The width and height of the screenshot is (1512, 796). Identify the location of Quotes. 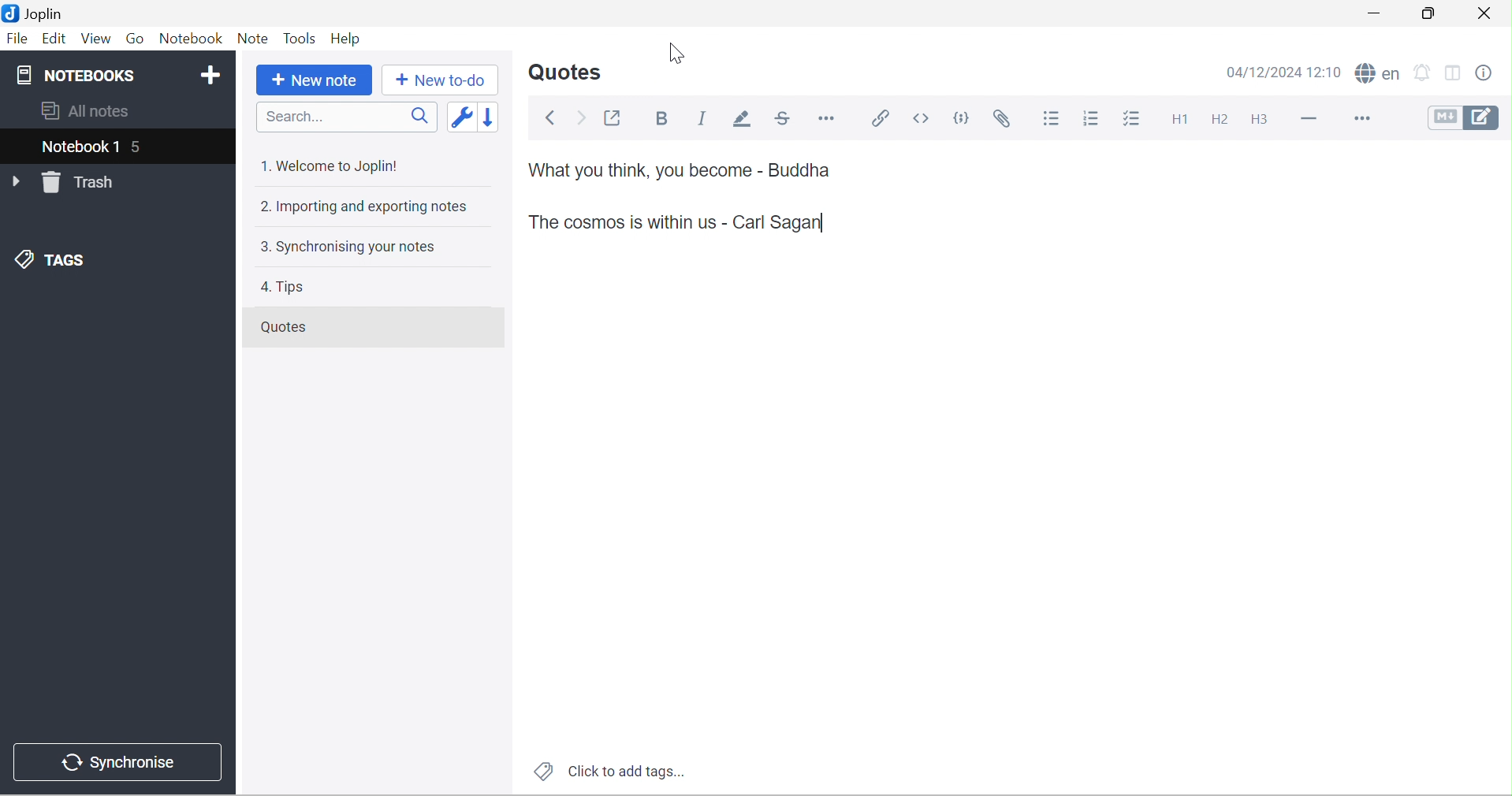
(568, 73).